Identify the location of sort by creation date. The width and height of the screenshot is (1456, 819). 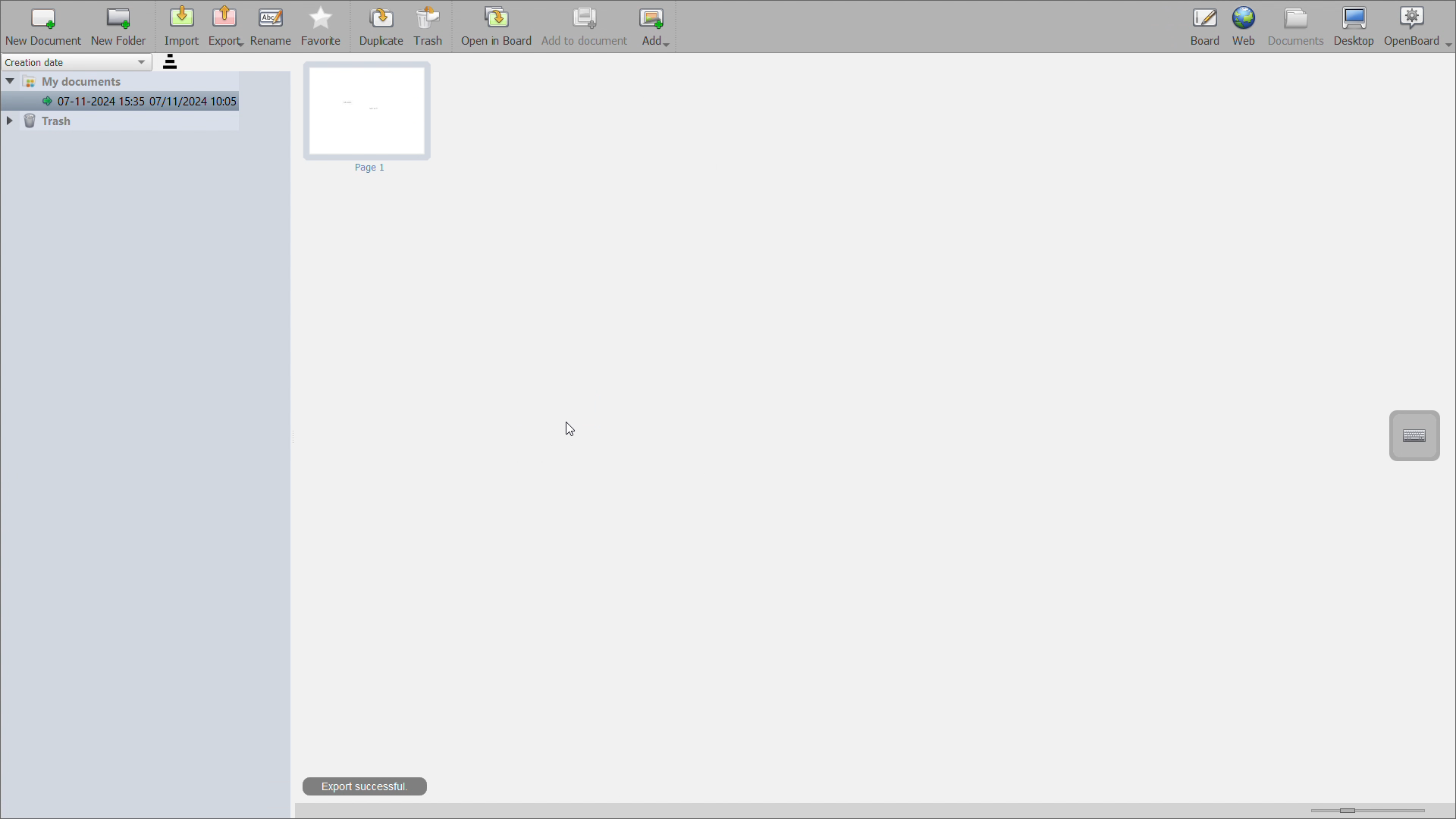
(77, 62).